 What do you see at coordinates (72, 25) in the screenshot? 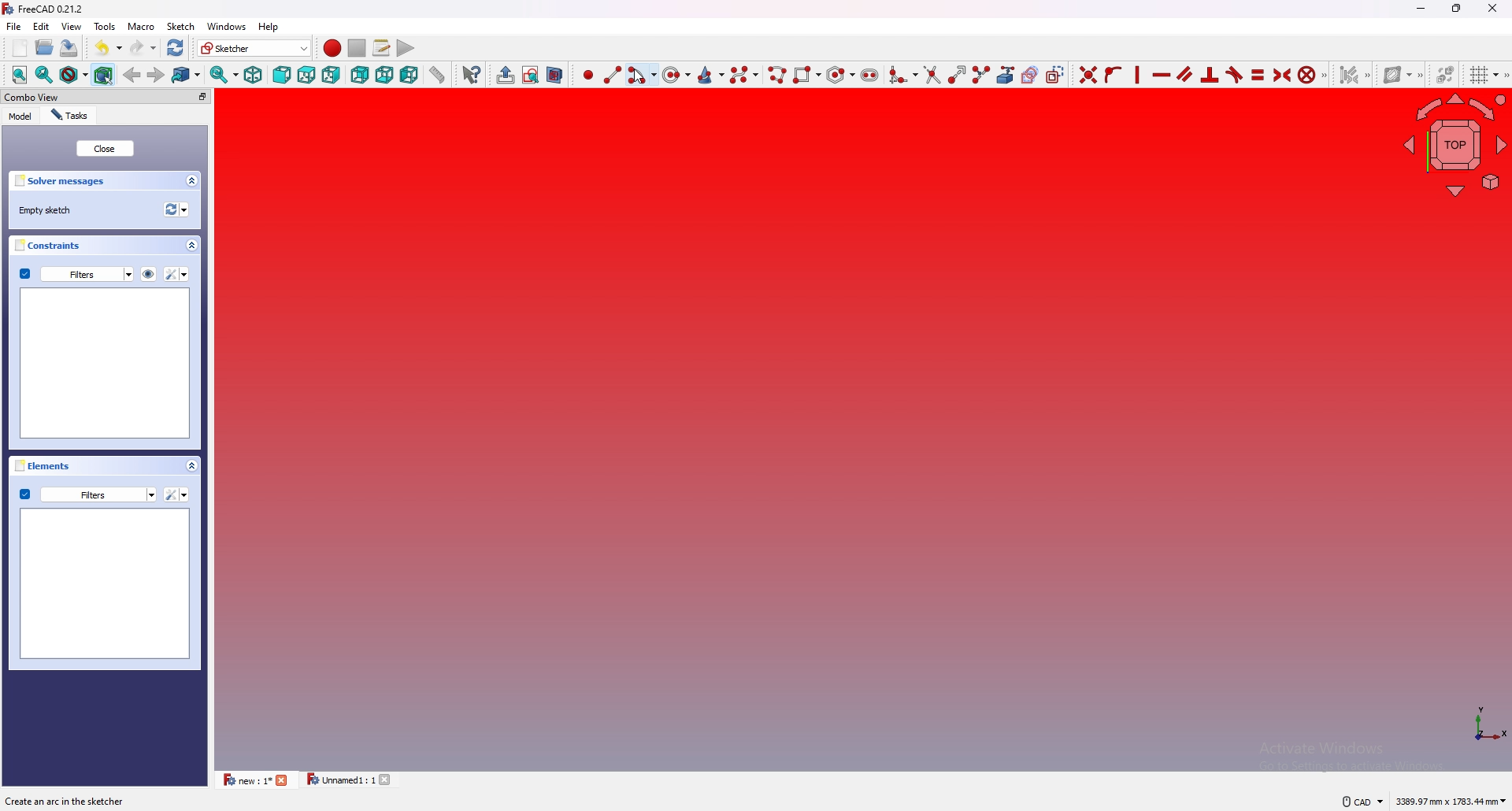
I see `view` at bounding box center [72, 25].